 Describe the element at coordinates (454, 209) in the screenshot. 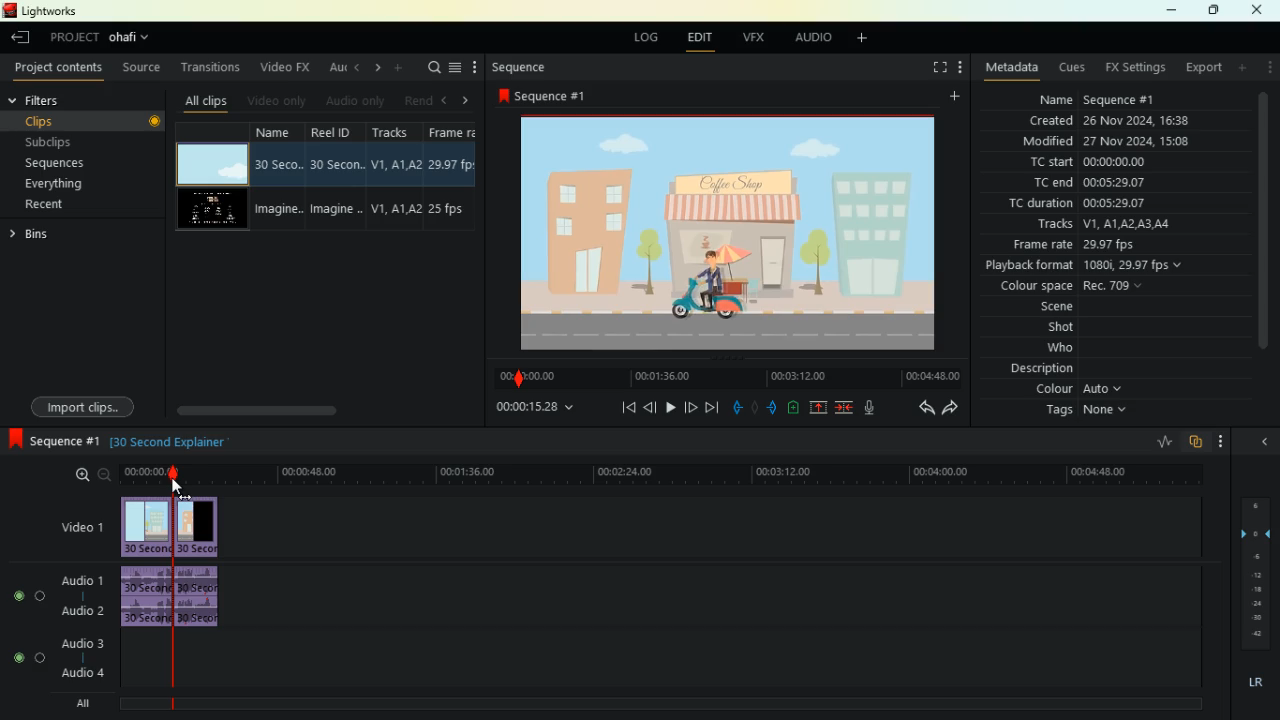

I see `25 fps` at that location.